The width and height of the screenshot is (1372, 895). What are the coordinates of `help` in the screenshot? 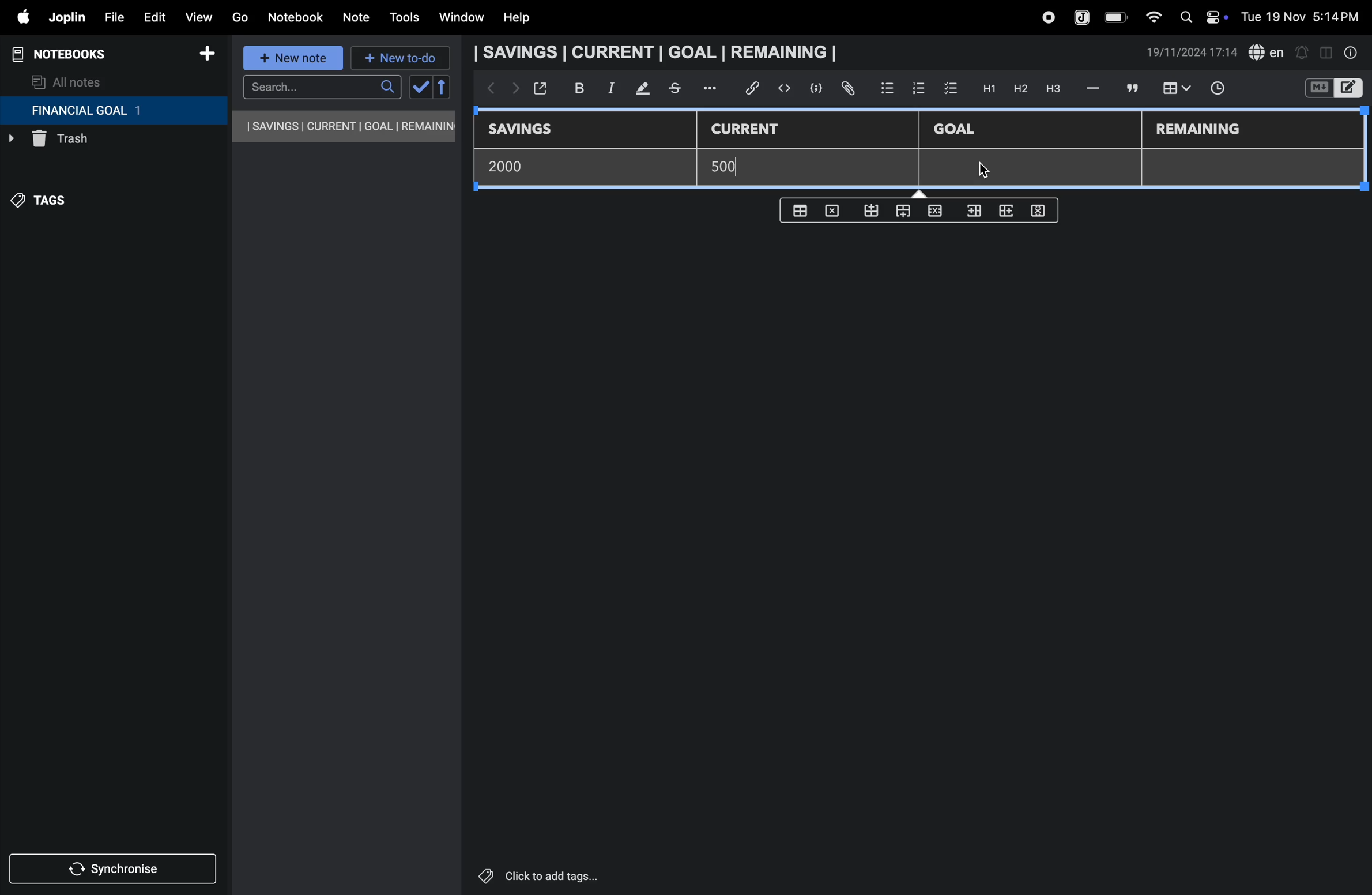 It's located at (525, 18).